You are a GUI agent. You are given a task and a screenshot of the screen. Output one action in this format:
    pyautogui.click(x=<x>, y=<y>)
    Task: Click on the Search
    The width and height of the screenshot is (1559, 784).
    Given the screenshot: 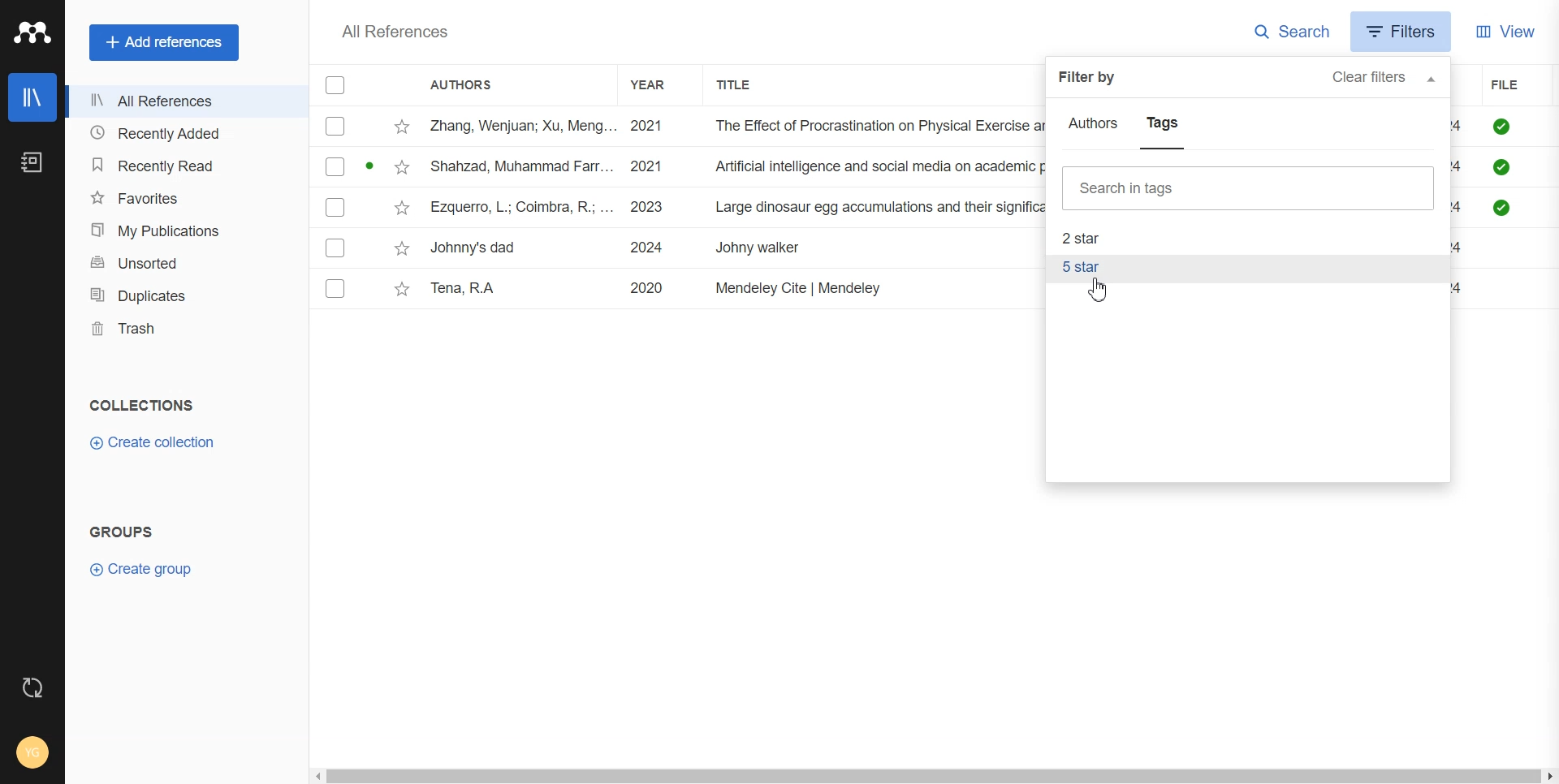 What is the action you would take?
    pyautogui.click(x=1285, y=32)
    